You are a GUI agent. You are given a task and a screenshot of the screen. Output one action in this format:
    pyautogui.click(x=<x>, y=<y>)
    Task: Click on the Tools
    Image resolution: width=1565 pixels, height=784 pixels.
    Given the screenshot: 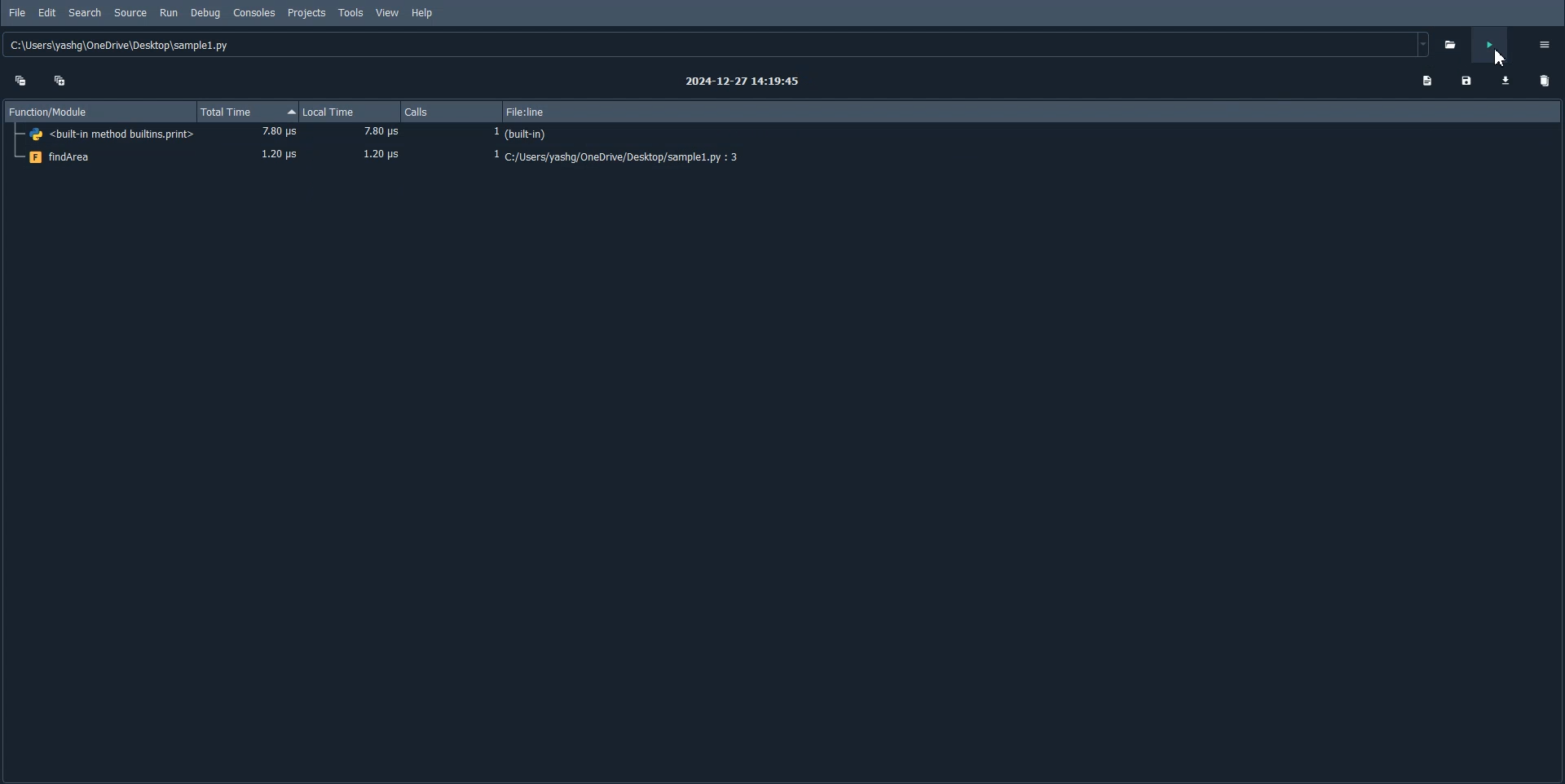 What is the action you would take?
    pyautogui.click(x=351, y=12)
    